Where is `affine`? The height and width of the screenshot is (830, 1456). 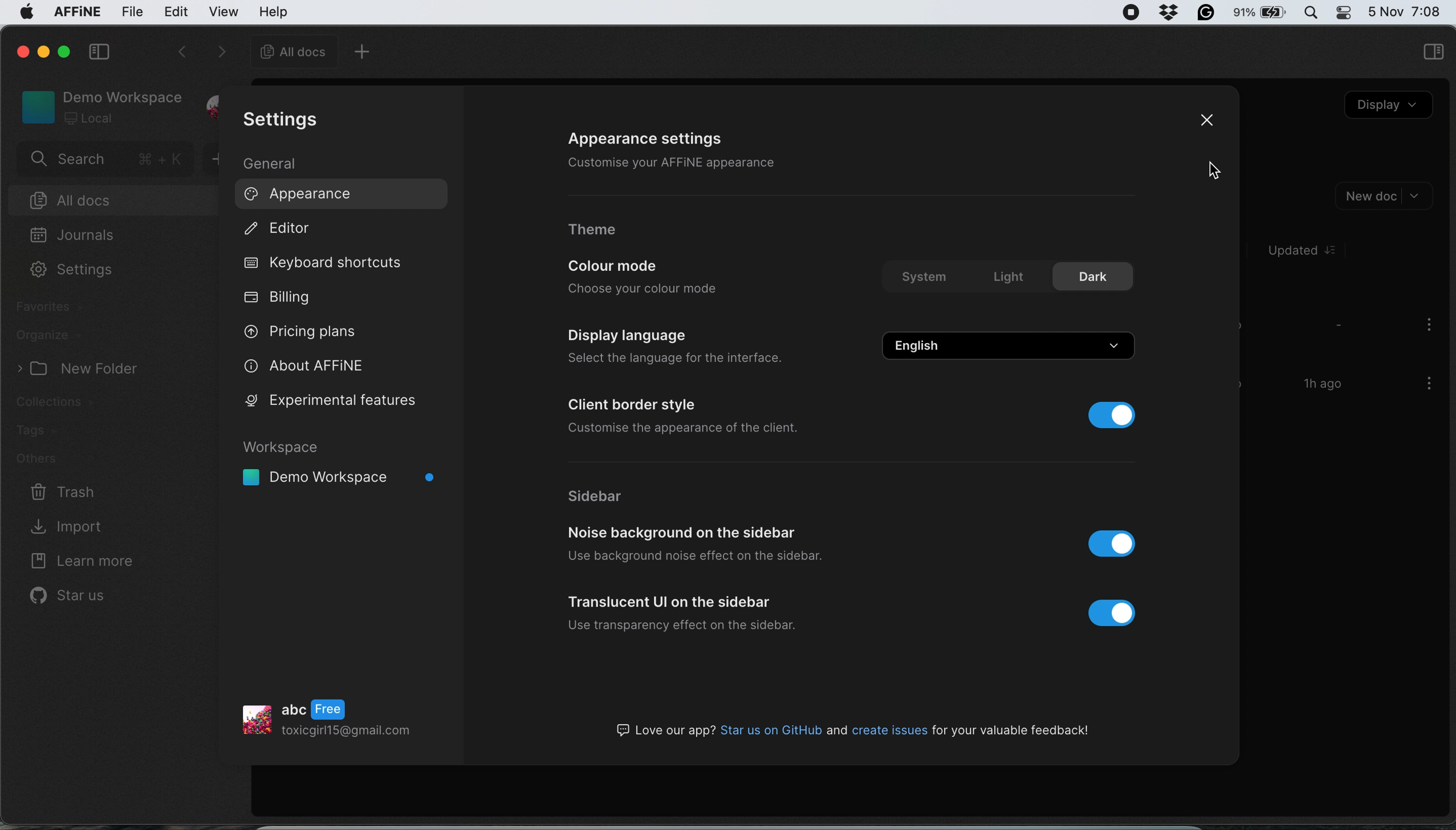 affine is located at coordinates (76, 13).